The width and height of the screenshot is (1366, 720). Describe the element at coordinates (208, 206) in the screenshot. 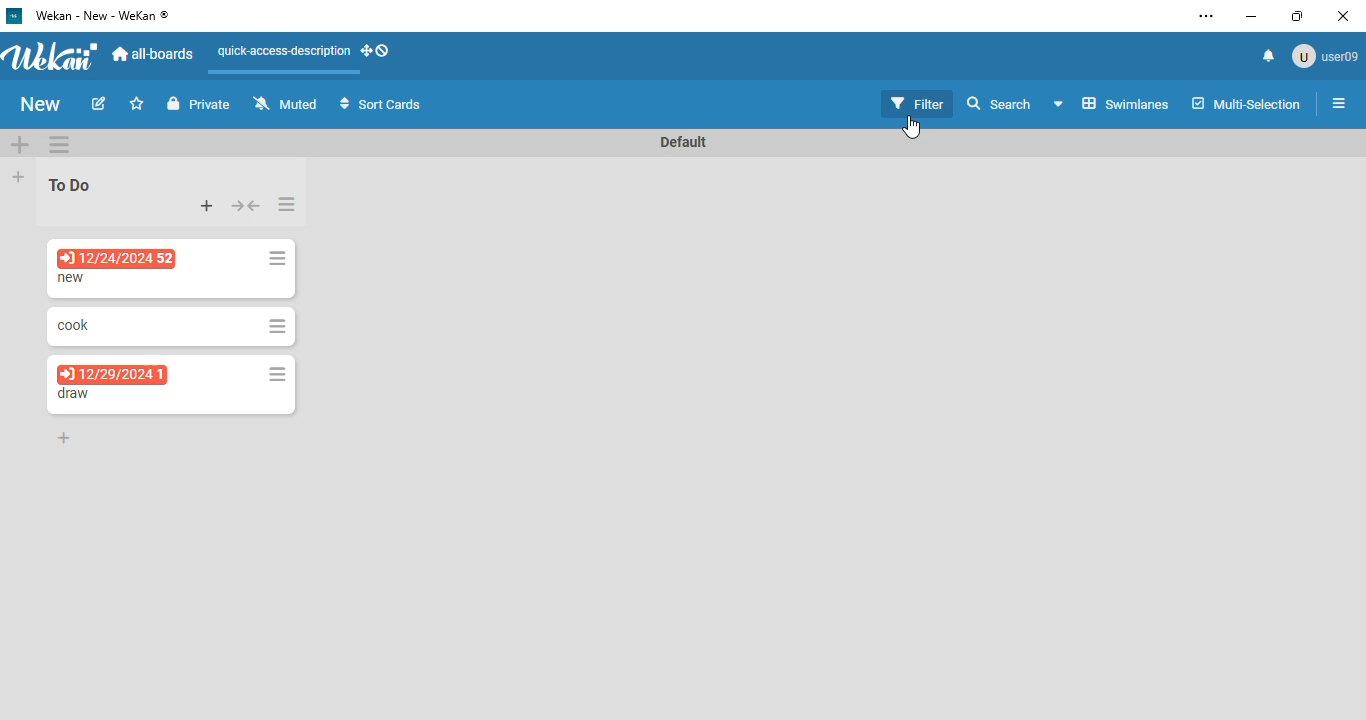

I see `add card to top of the list` at that location.